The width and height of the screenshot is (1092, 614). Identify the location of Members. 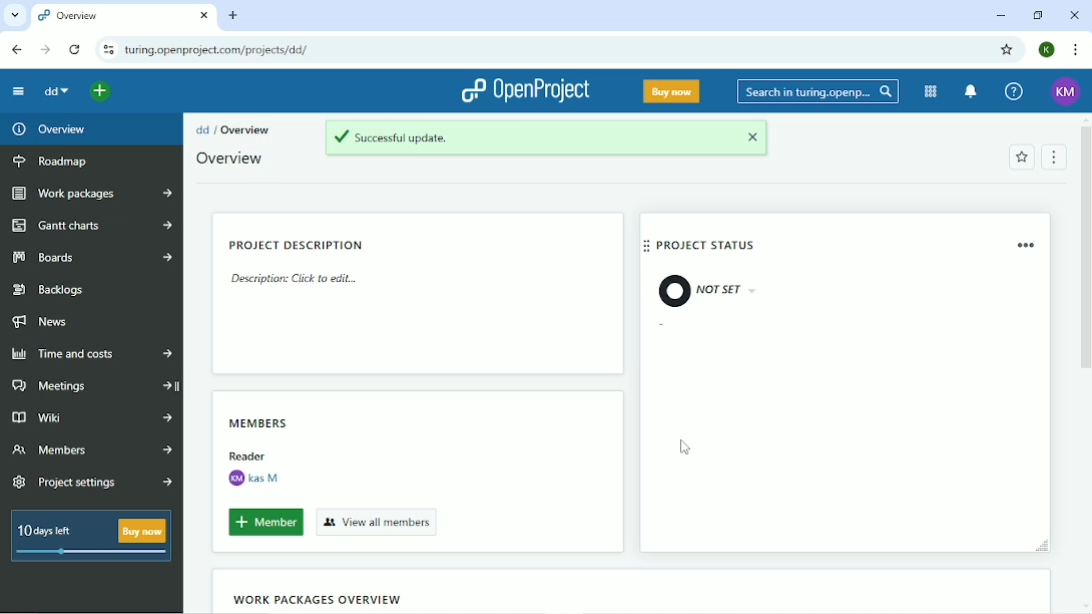
(92, 451).